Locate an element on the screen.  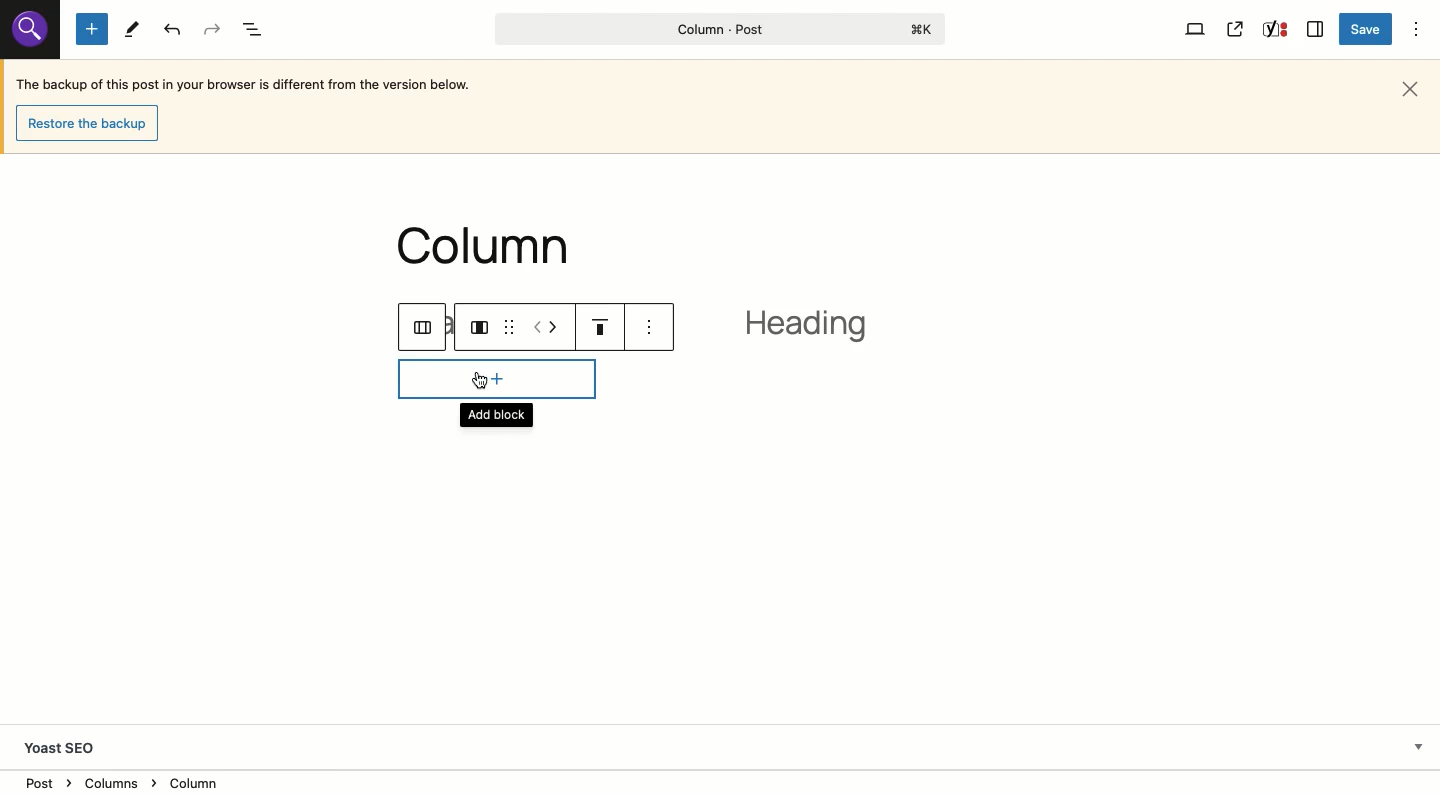
The backup of this post in your browser is different from the version below. is located at coordinates (245, 87).